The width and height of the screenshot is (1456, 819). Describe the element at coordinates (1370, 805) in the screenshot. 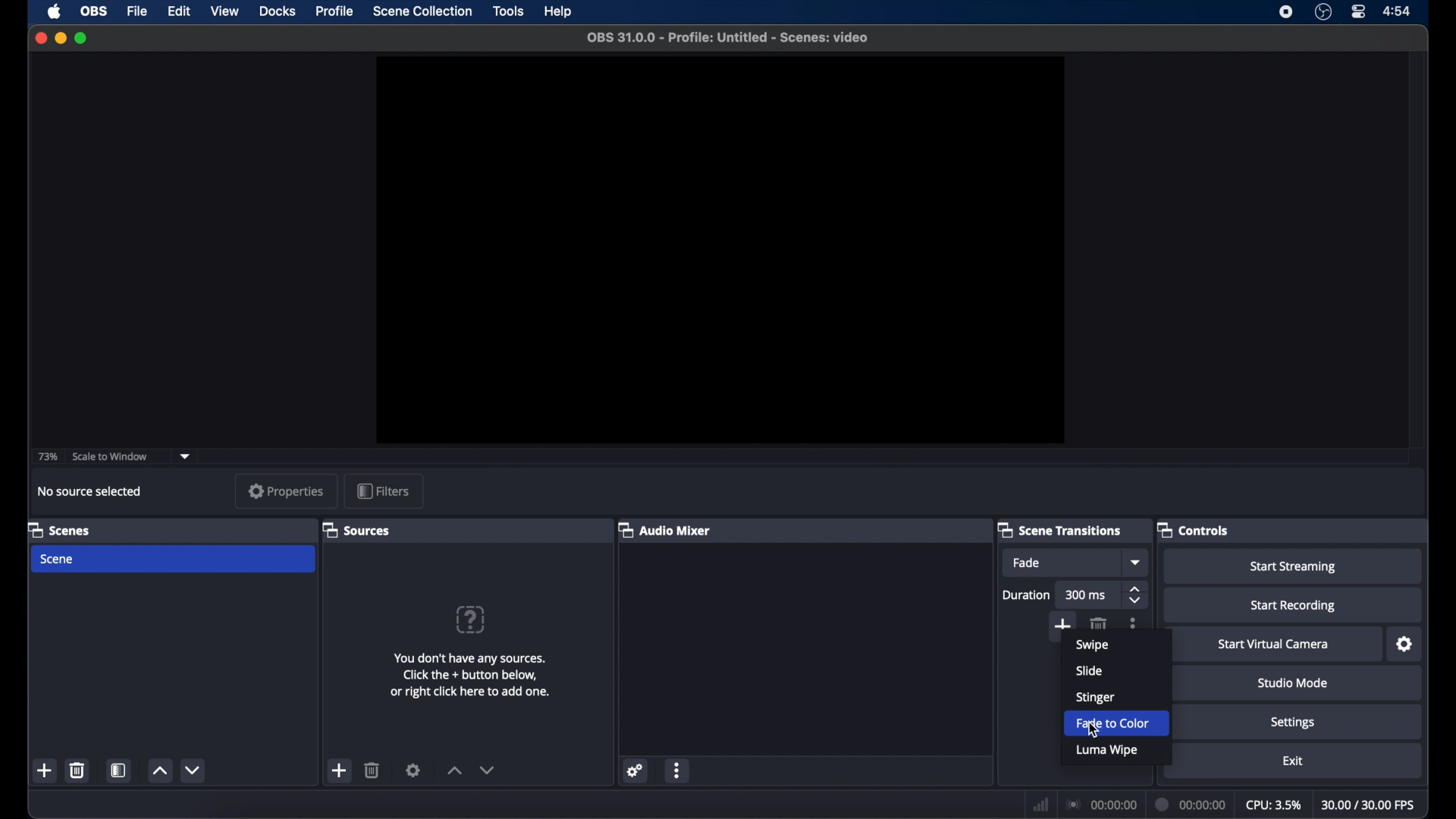

I see `fps` at that location.